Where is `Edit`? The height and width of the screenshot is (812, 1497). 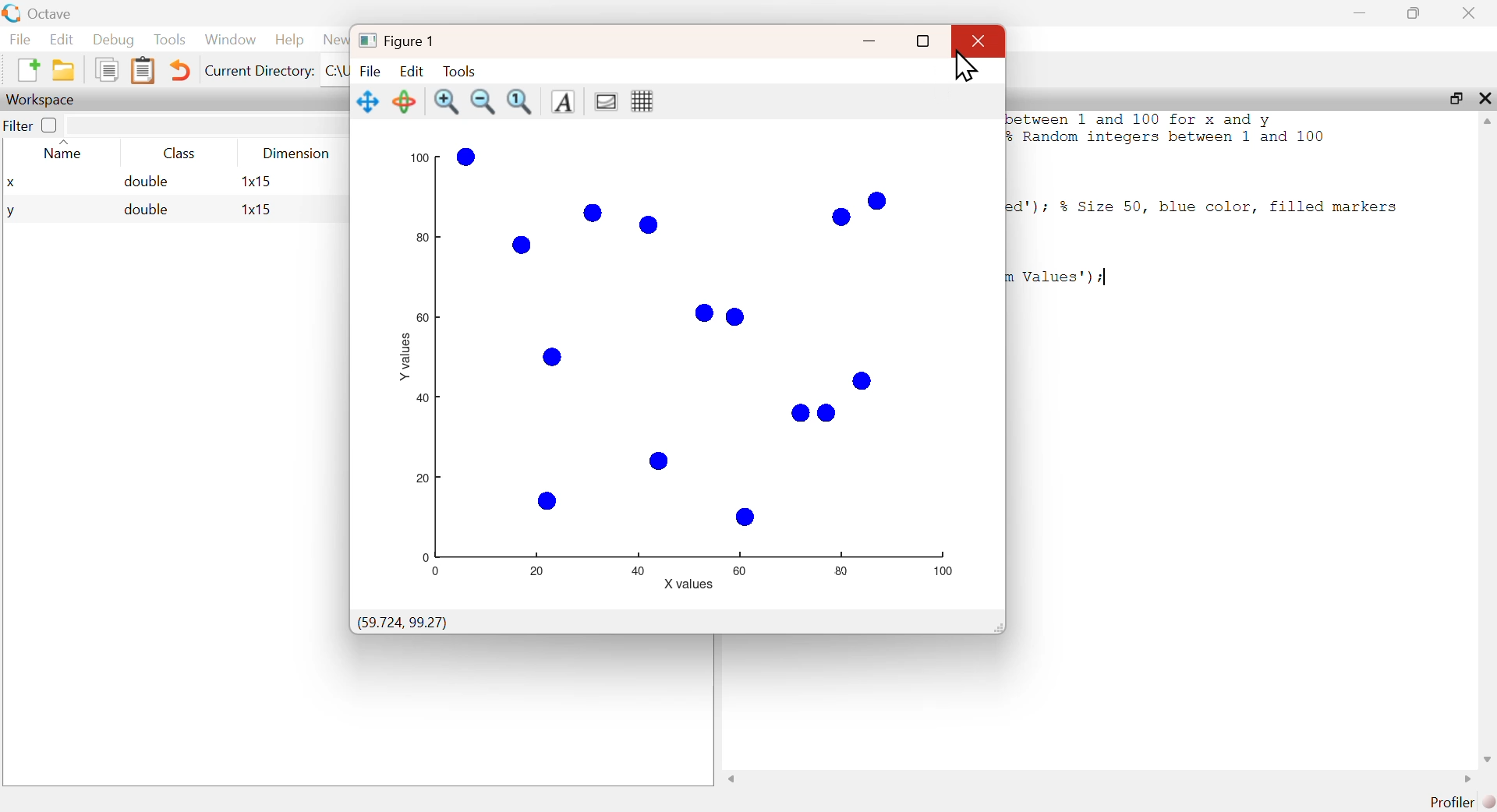
Edit is located at coordinates (413, 70).